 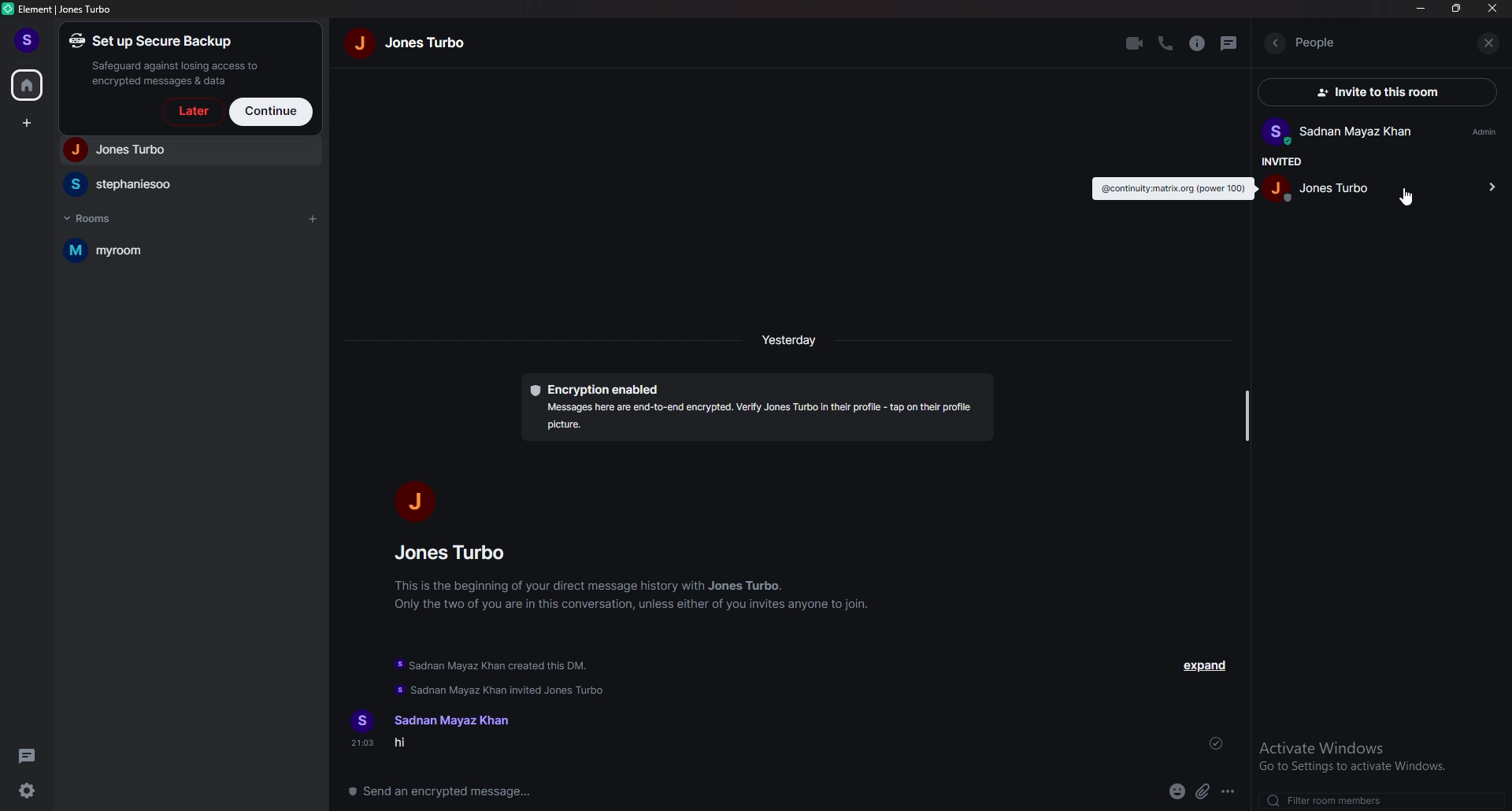 What do you see at coordinates (634, 594) in the screenshot?
I see `info` at bounding box center [634, 594].